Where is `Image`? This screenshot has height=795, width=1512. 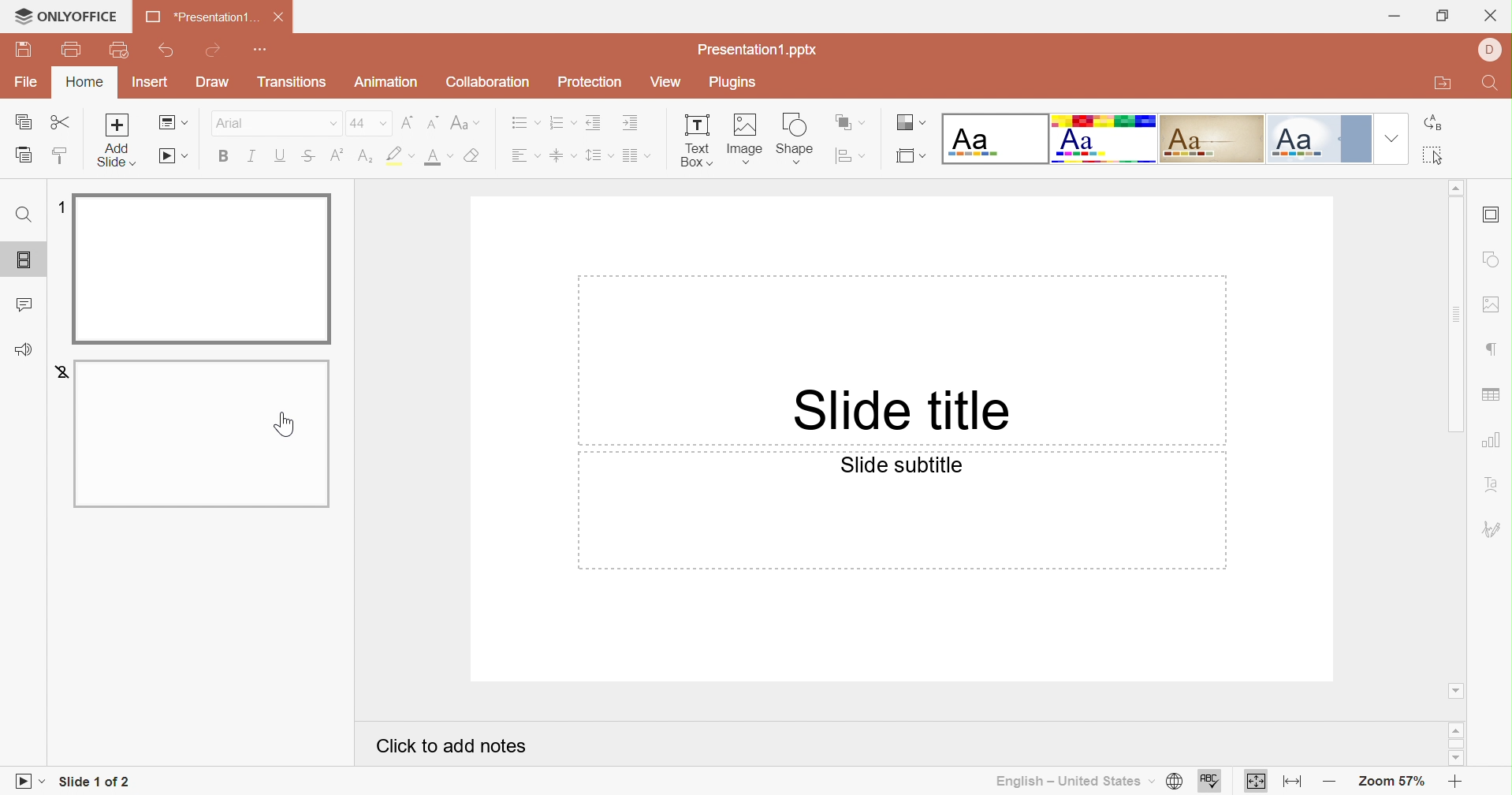
Image is located at coordinates (749, 140).